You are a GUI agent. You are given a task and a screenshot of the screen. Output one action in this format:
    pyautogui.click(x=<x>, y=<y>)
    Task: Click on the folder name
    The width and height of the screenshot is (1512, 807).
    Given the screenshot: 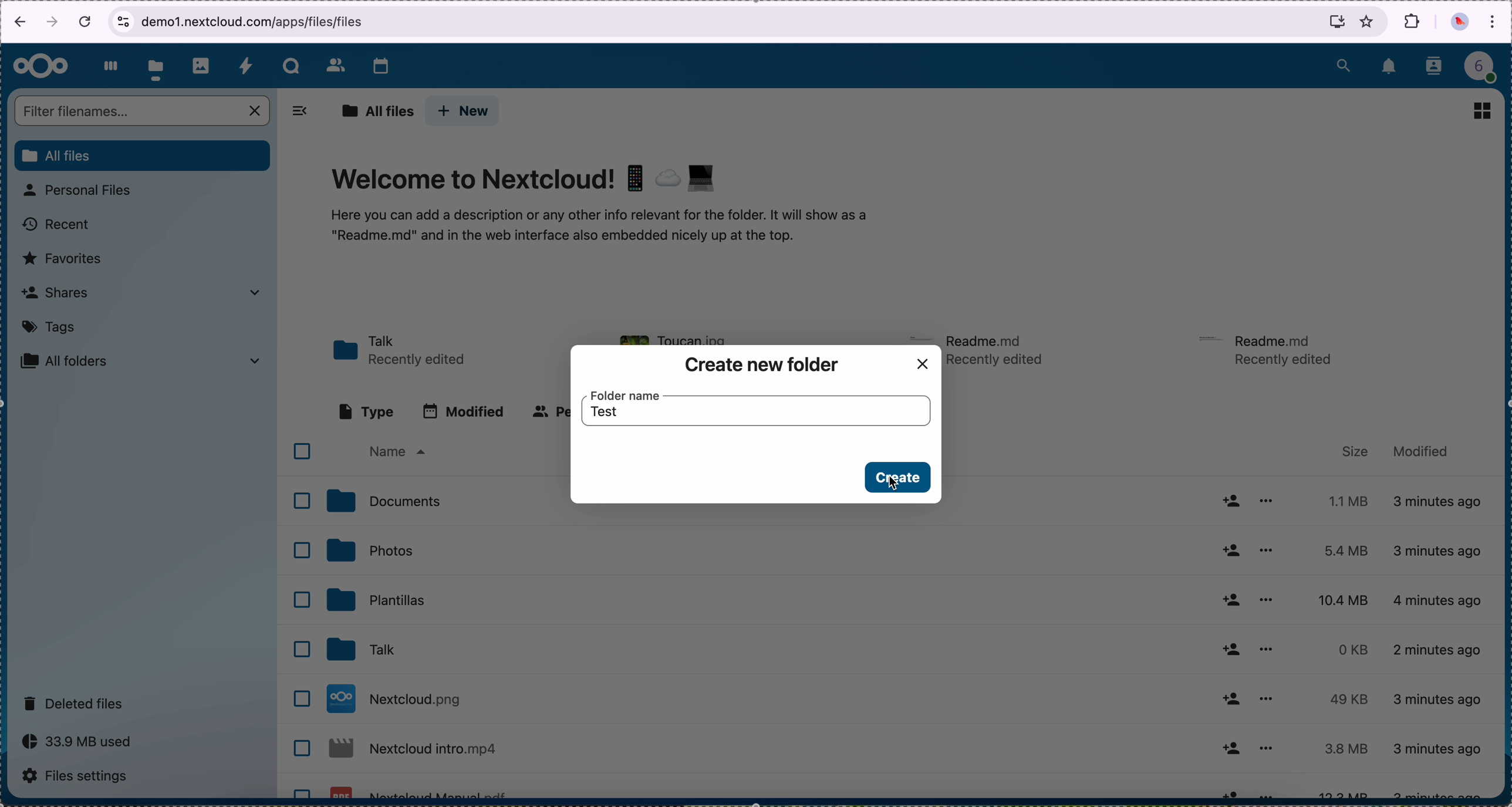 What is the action you would take?
    pyautogui.click(x=626, y=394)
    